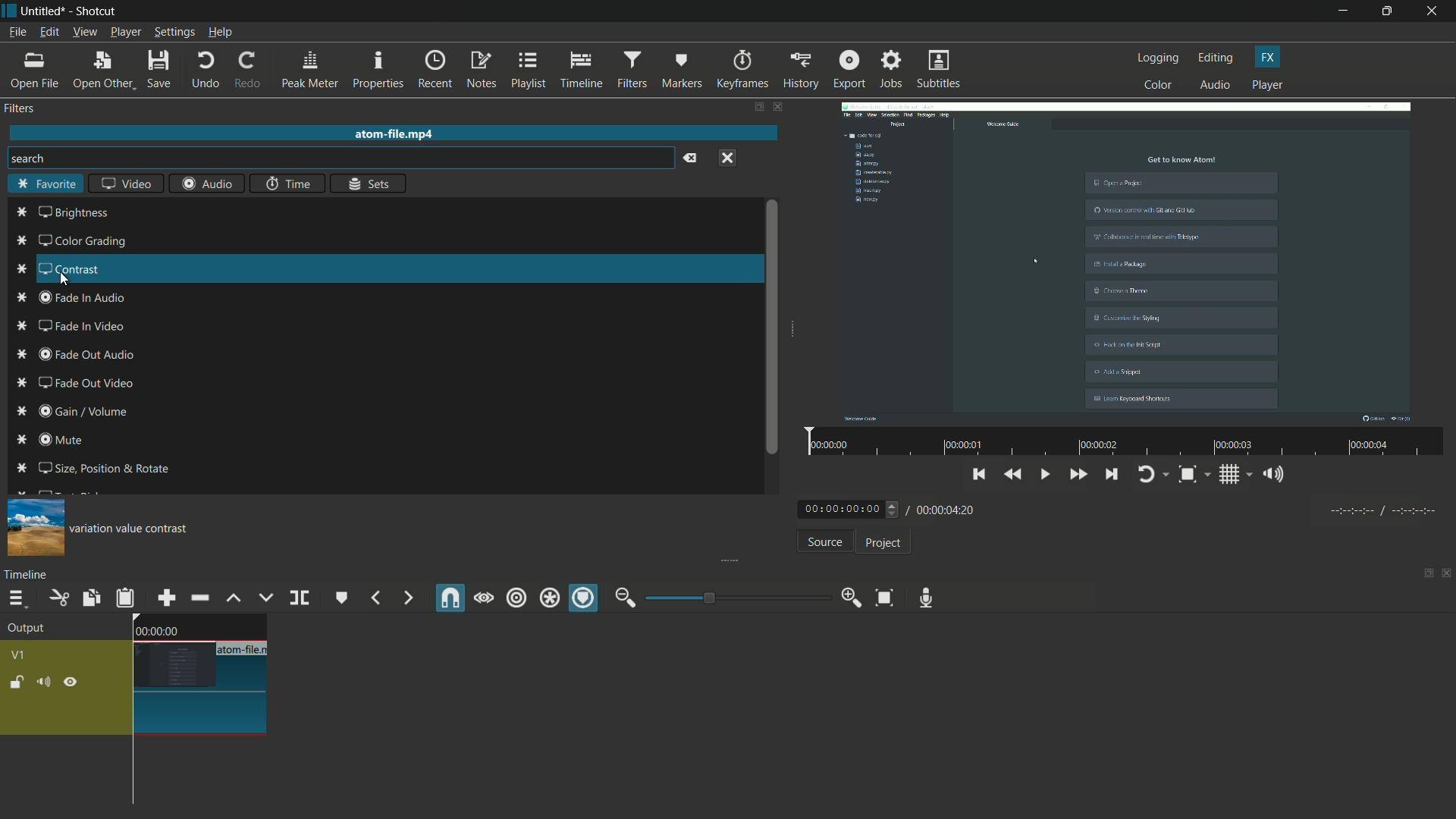 This screenshot has width=1456, height=819. Describe the element at coordinates (46, 185) in the screenshot. I see `favorite` at that location.